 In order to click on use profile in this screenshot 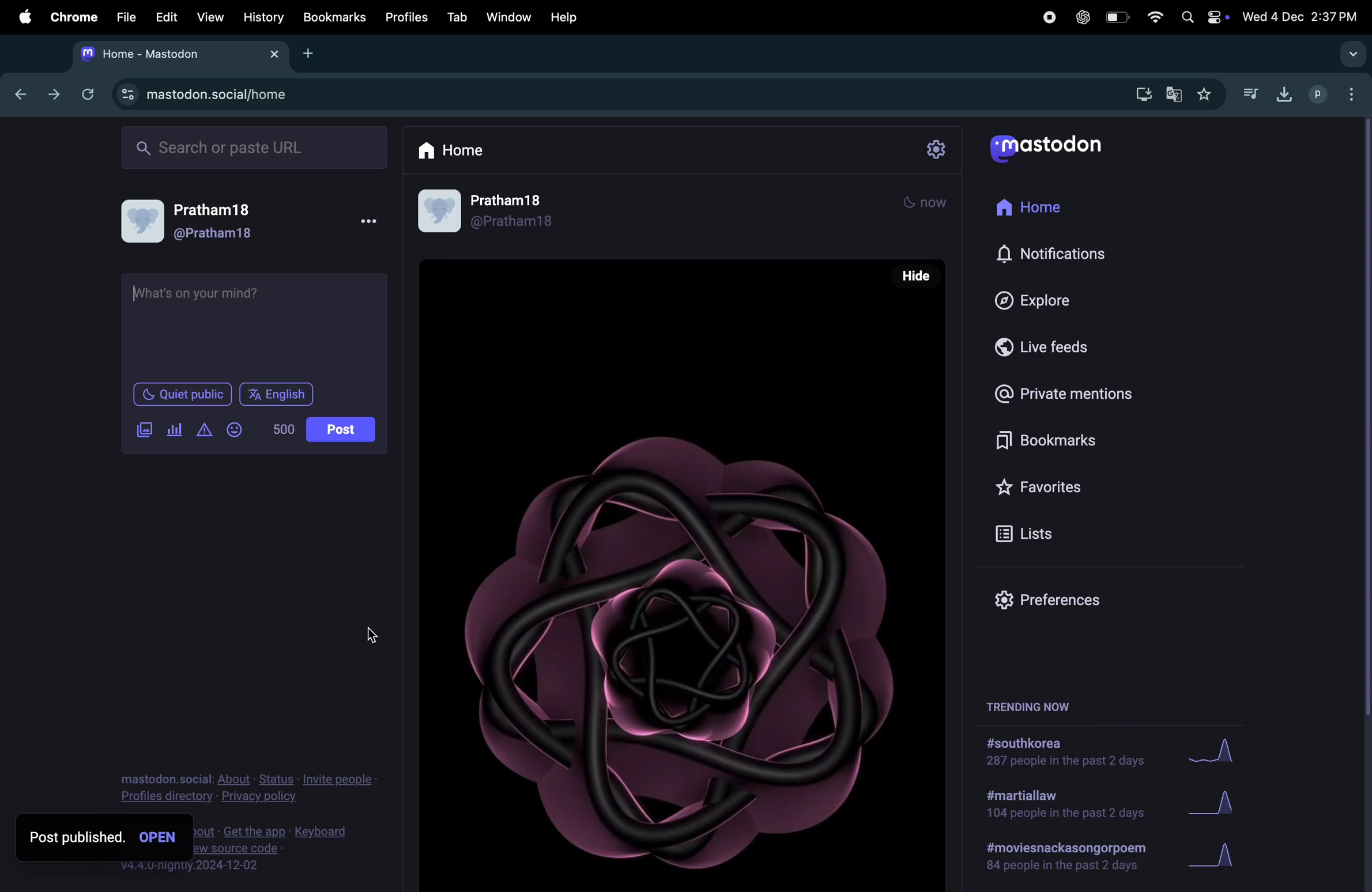, I will do `click(492, 213)`.